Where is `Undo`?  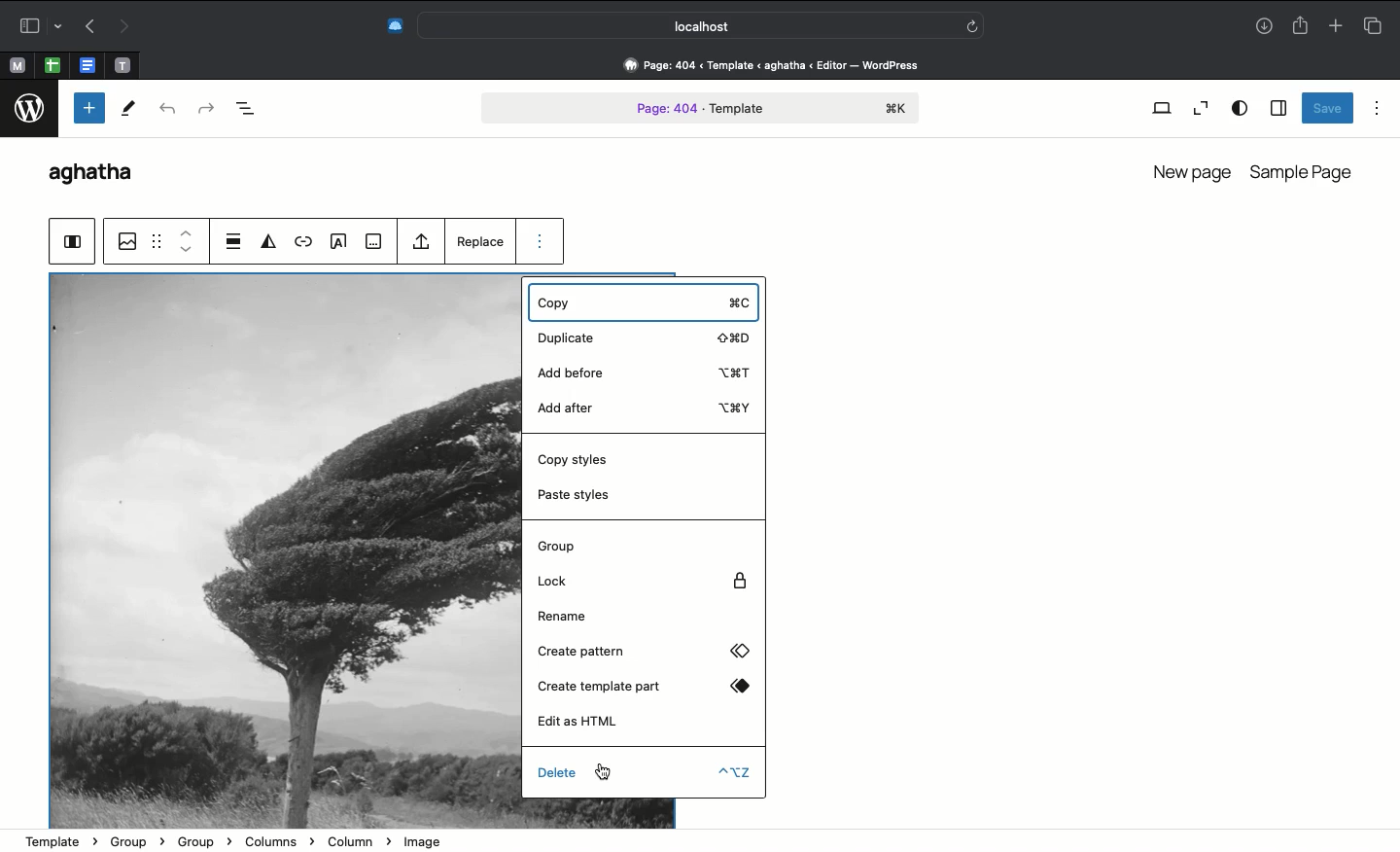
Undo is located at coordinates (169, 112).